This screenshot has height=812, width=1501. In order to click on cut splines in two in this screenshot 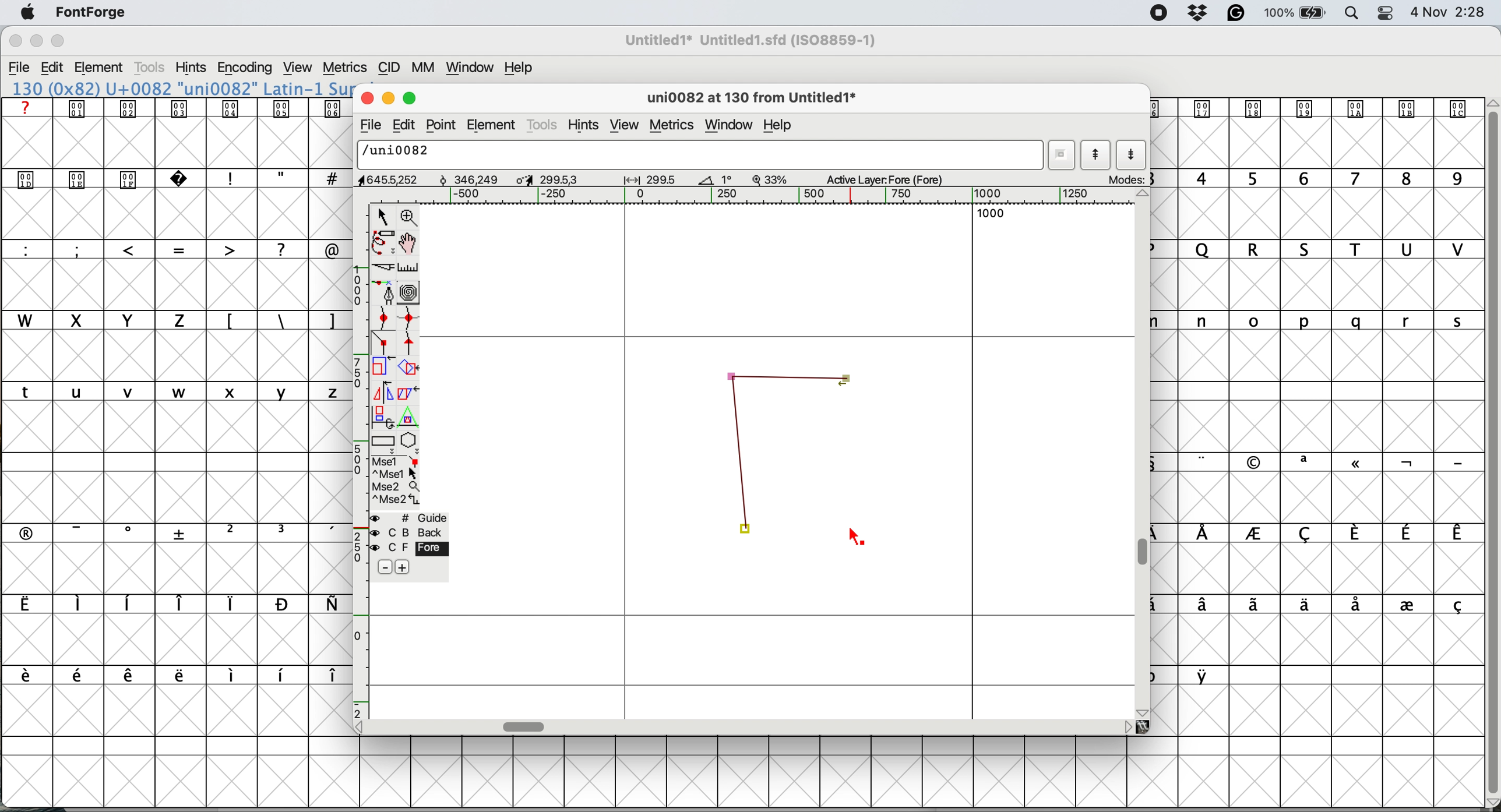, I will do `click(386, 267)`.